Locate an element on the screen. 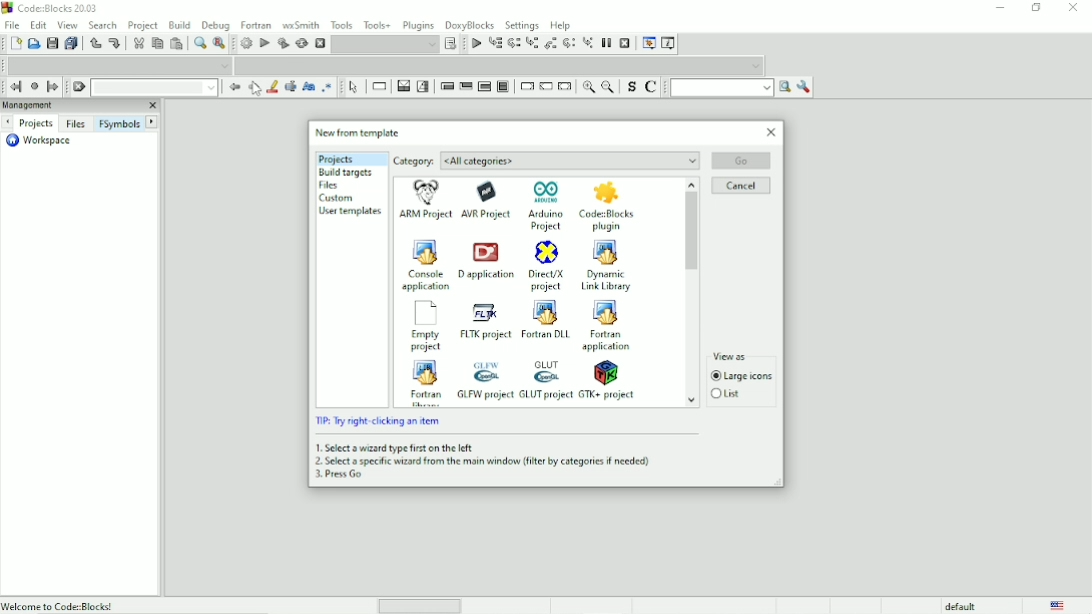 This screenshot has width=1092, height=614. Drop down is located at coordinates (386, 44).